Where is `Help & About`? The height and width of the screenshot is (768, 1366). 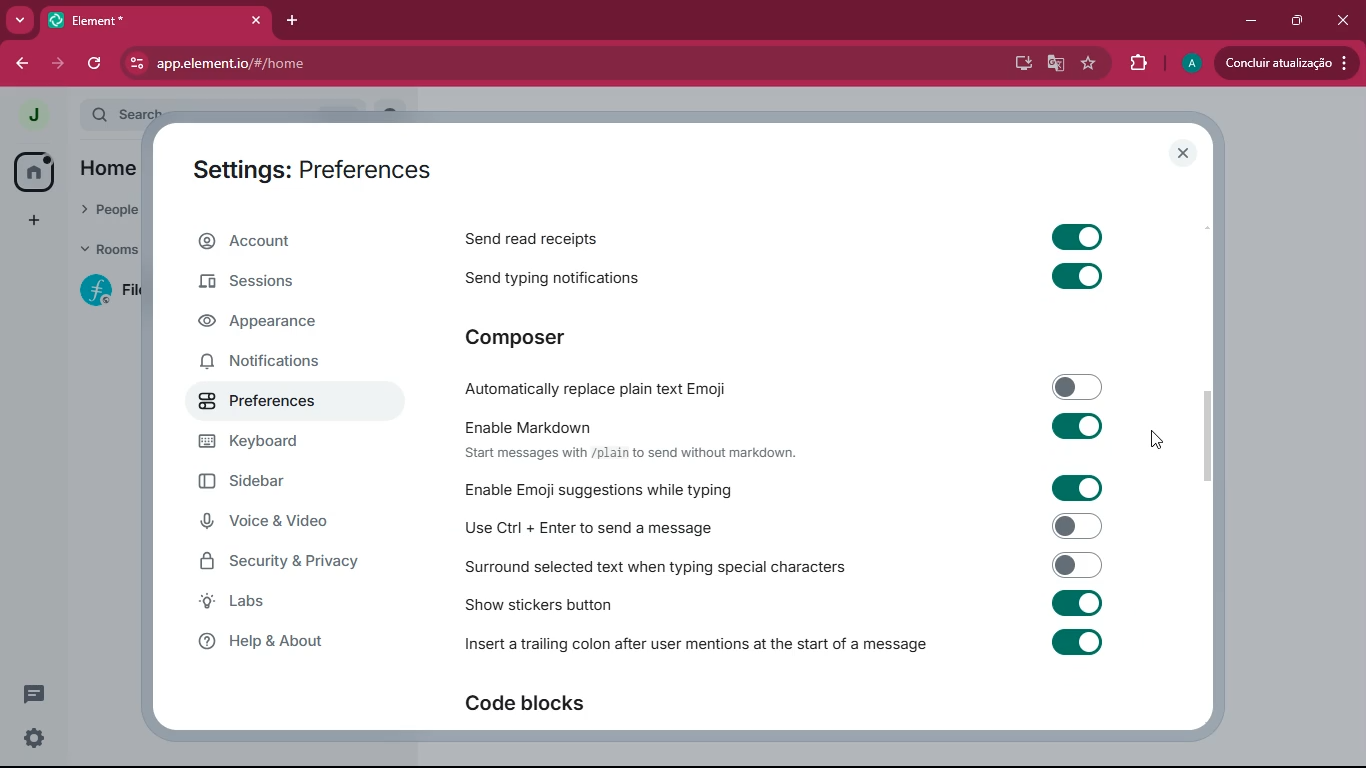
Help & About is located at coordinates (258, 641).